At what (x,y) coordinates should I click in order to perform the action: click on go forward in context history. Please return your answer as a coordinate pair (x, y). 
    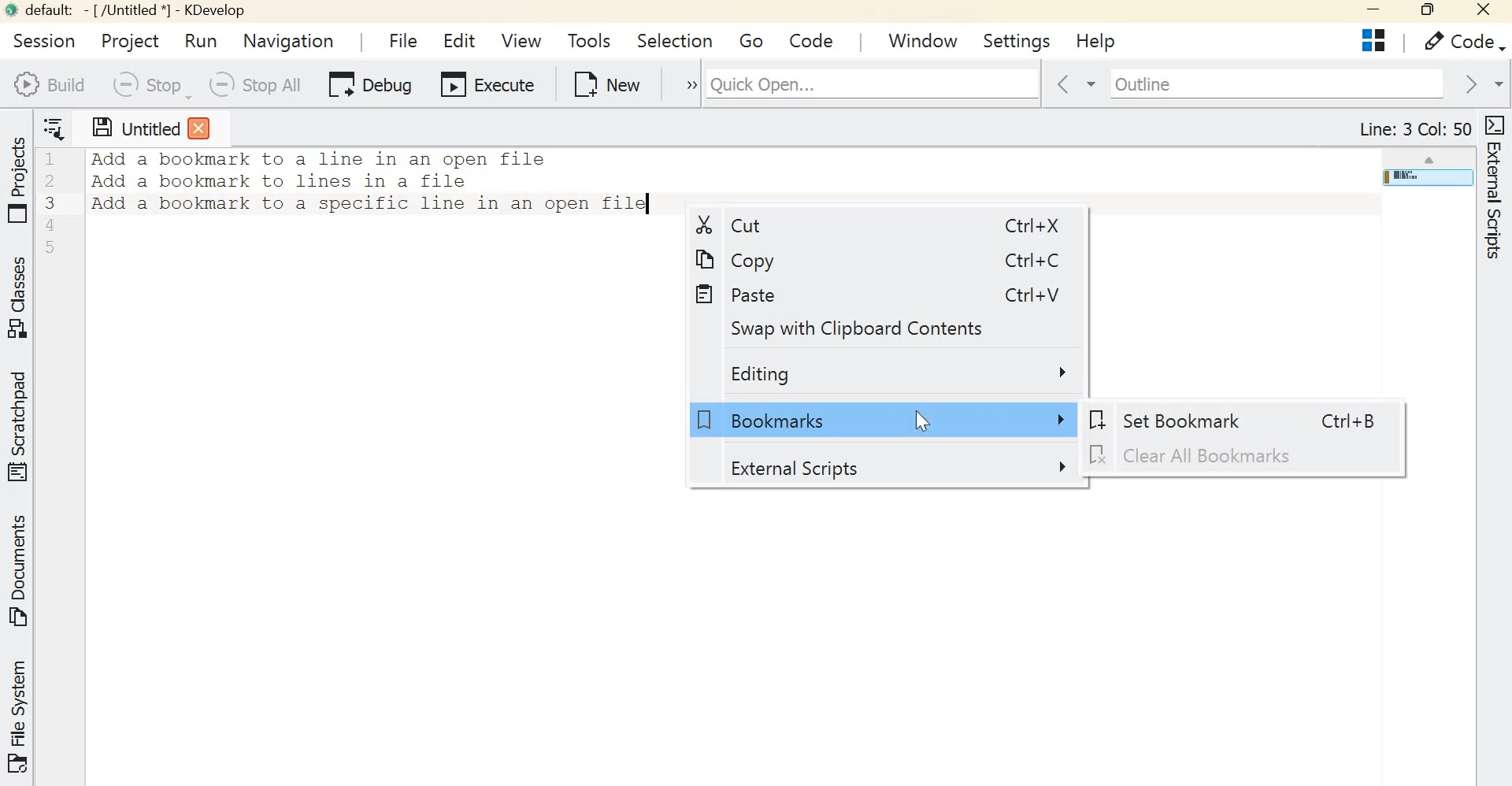
    Looking at the image, I should click on (1480, 81).